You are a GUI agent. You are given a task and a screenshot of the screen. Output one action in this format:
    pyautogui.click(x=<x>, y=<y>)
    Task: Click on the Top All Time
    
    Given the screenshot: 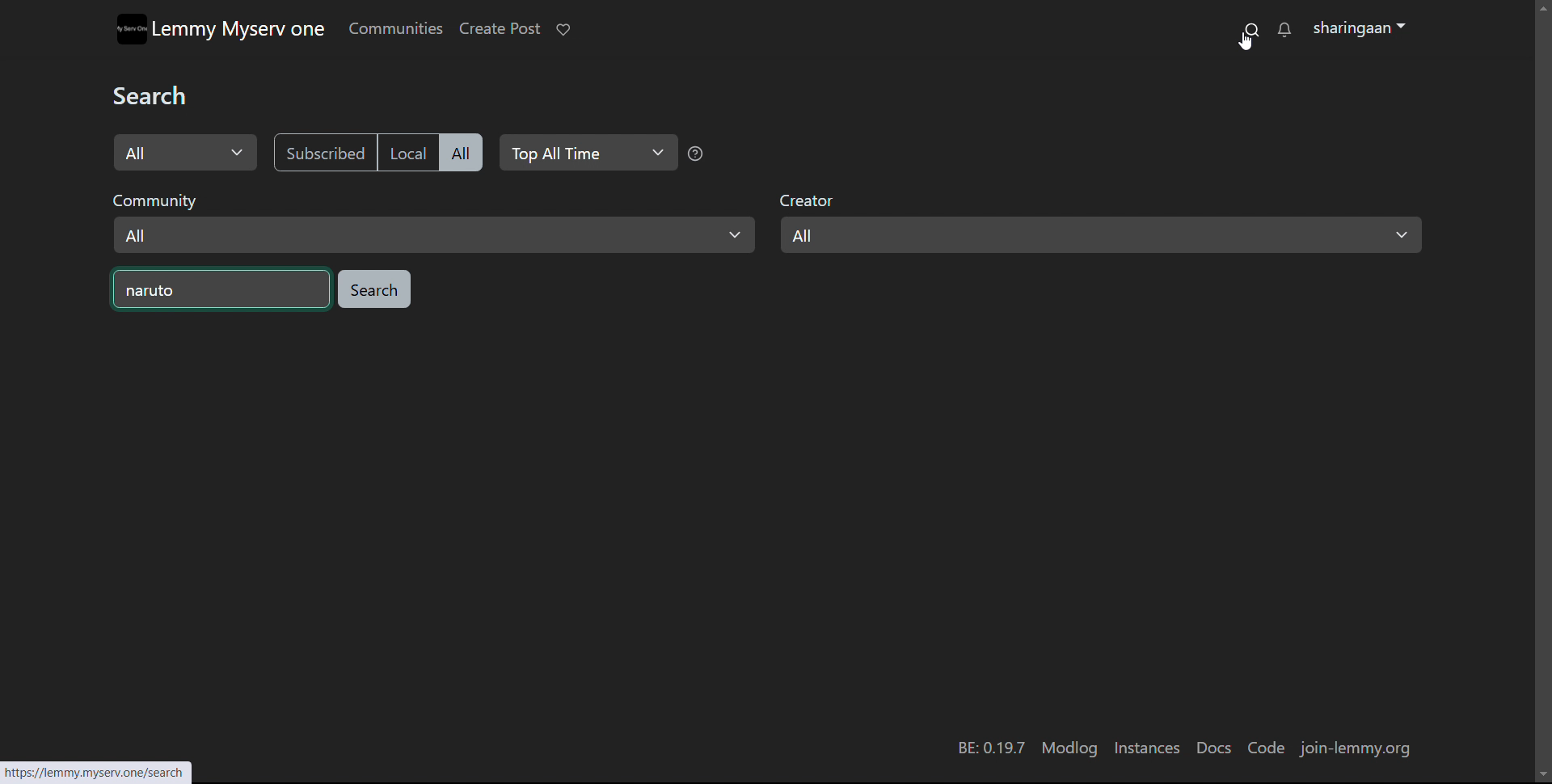 What is the action you would take?
    pyautogui.click(x=698, y=154)
    